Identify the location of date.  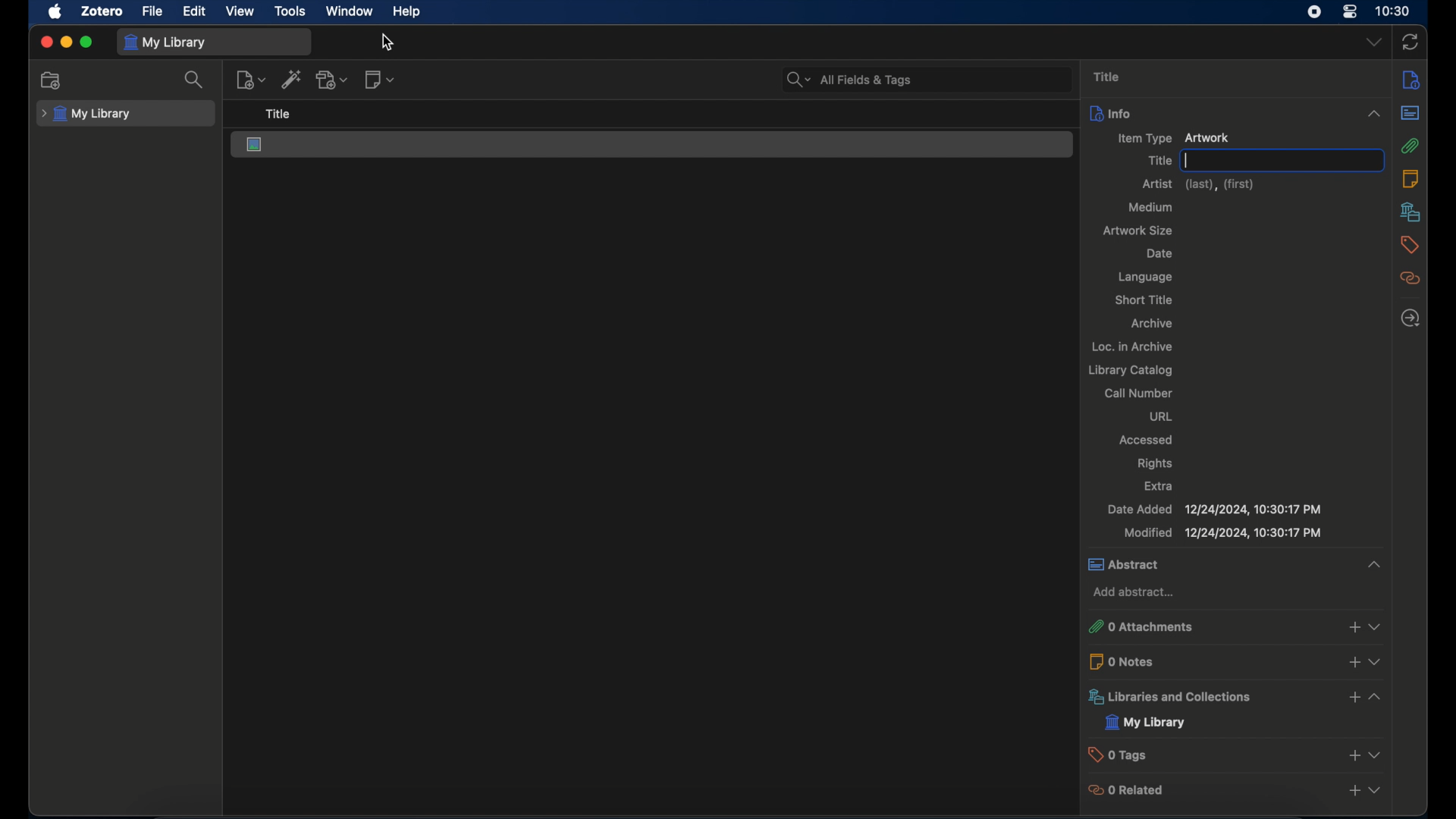
(1159, 254).